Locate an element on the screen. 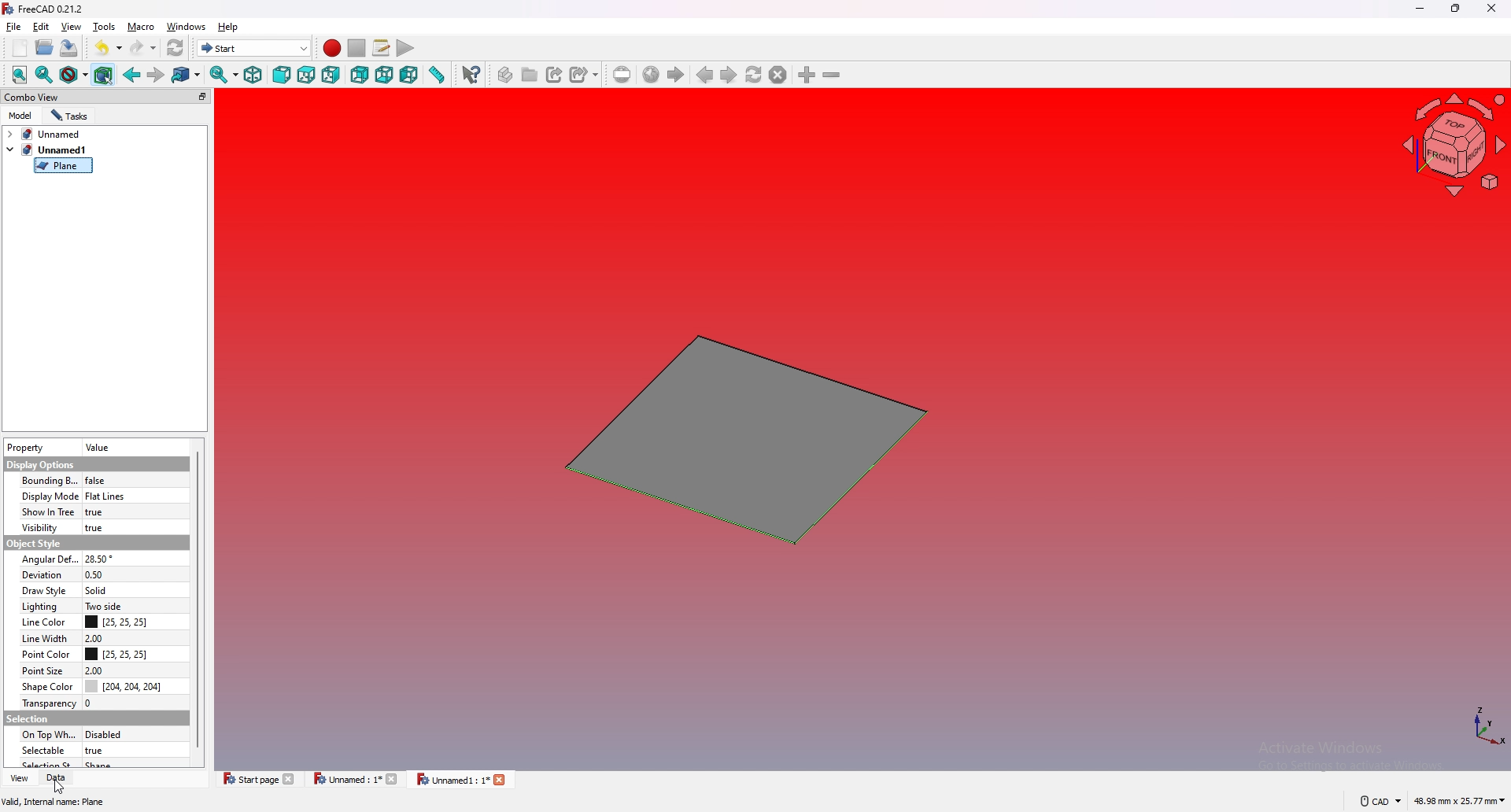 The image size is (1511, 812). right is located at coordinates (331, 75).